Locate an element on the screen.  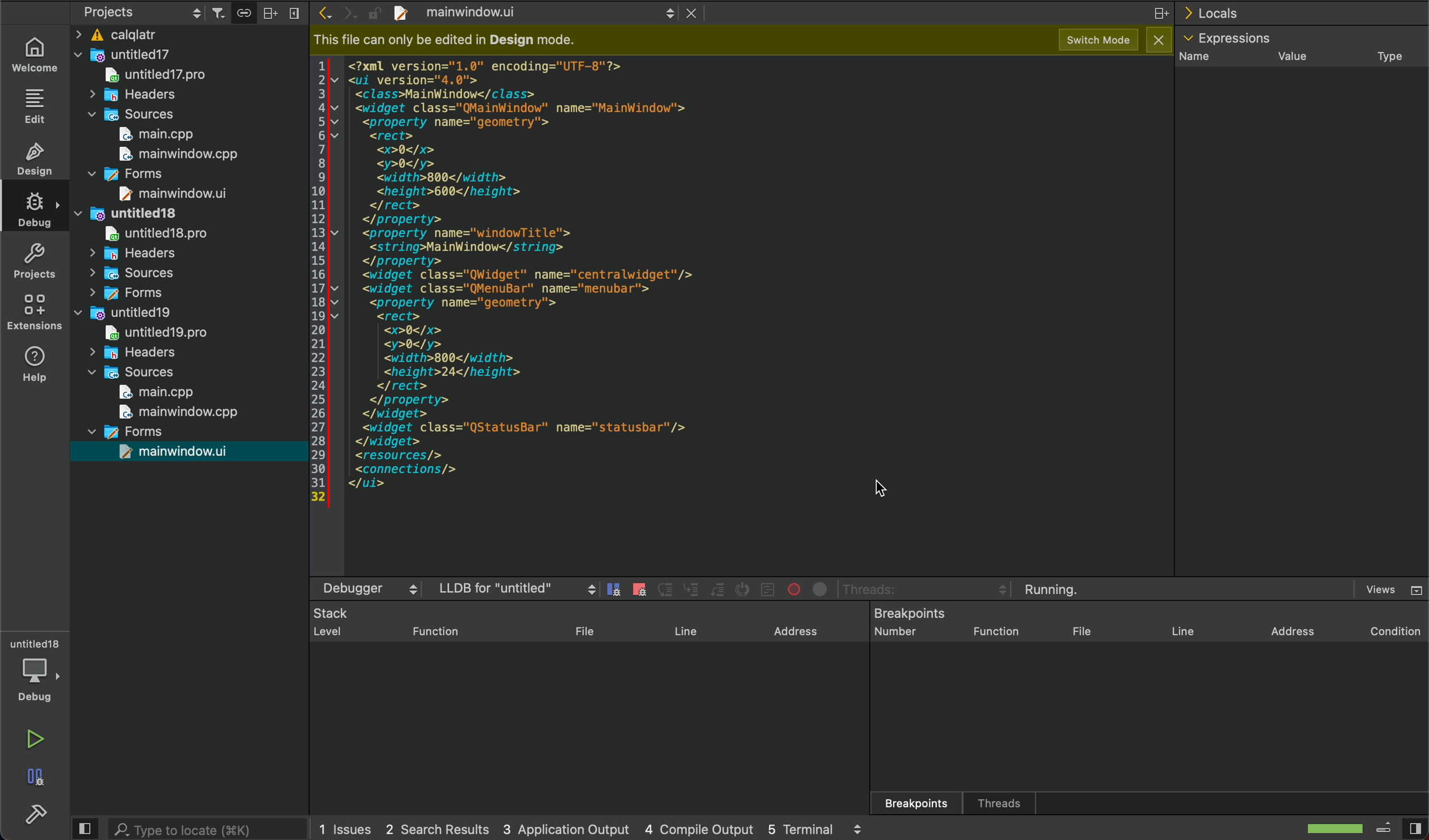
search is located at coordinates (208, 828).